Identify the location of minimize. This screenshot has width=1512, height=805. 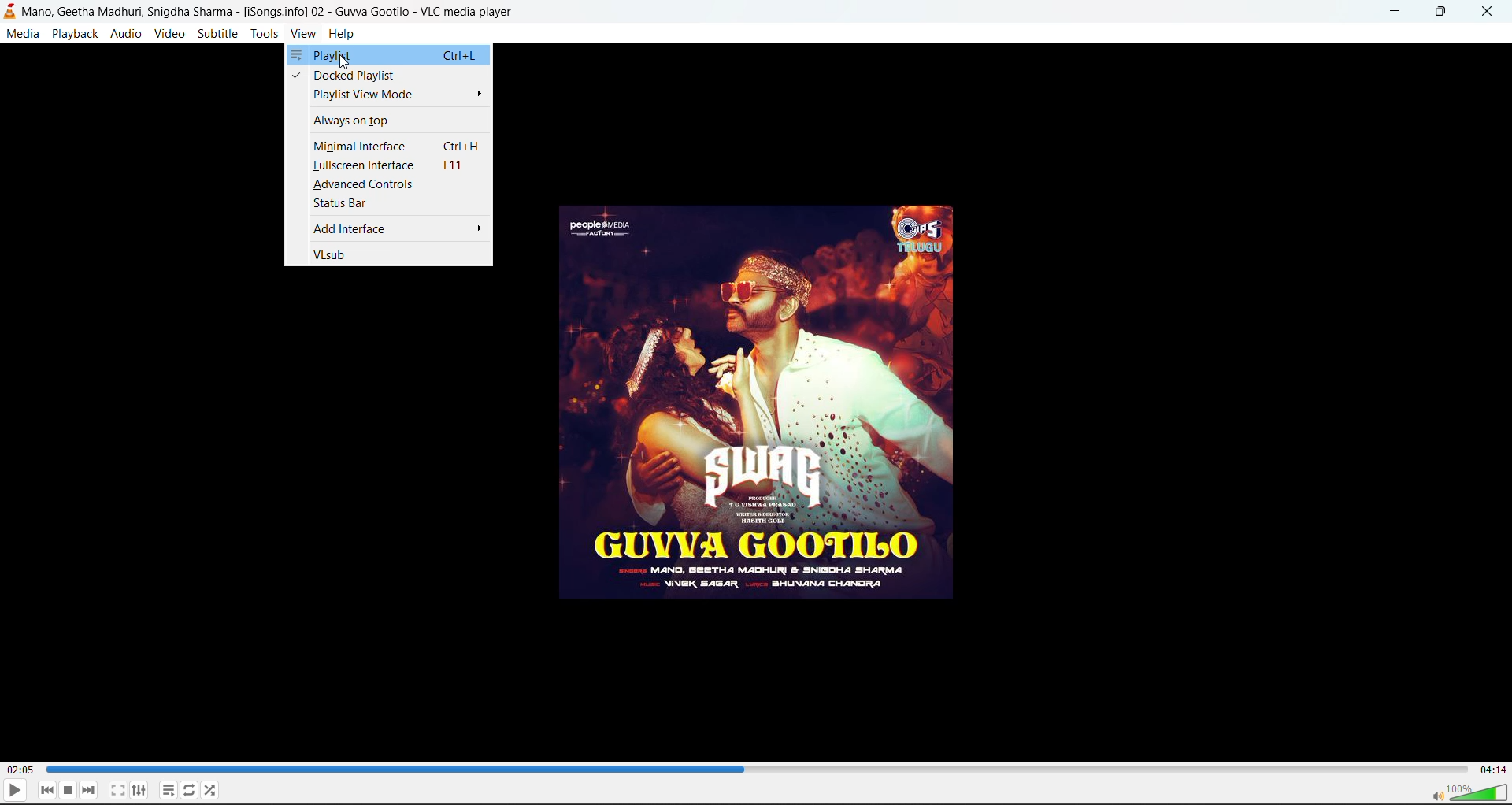
(1399, 12).